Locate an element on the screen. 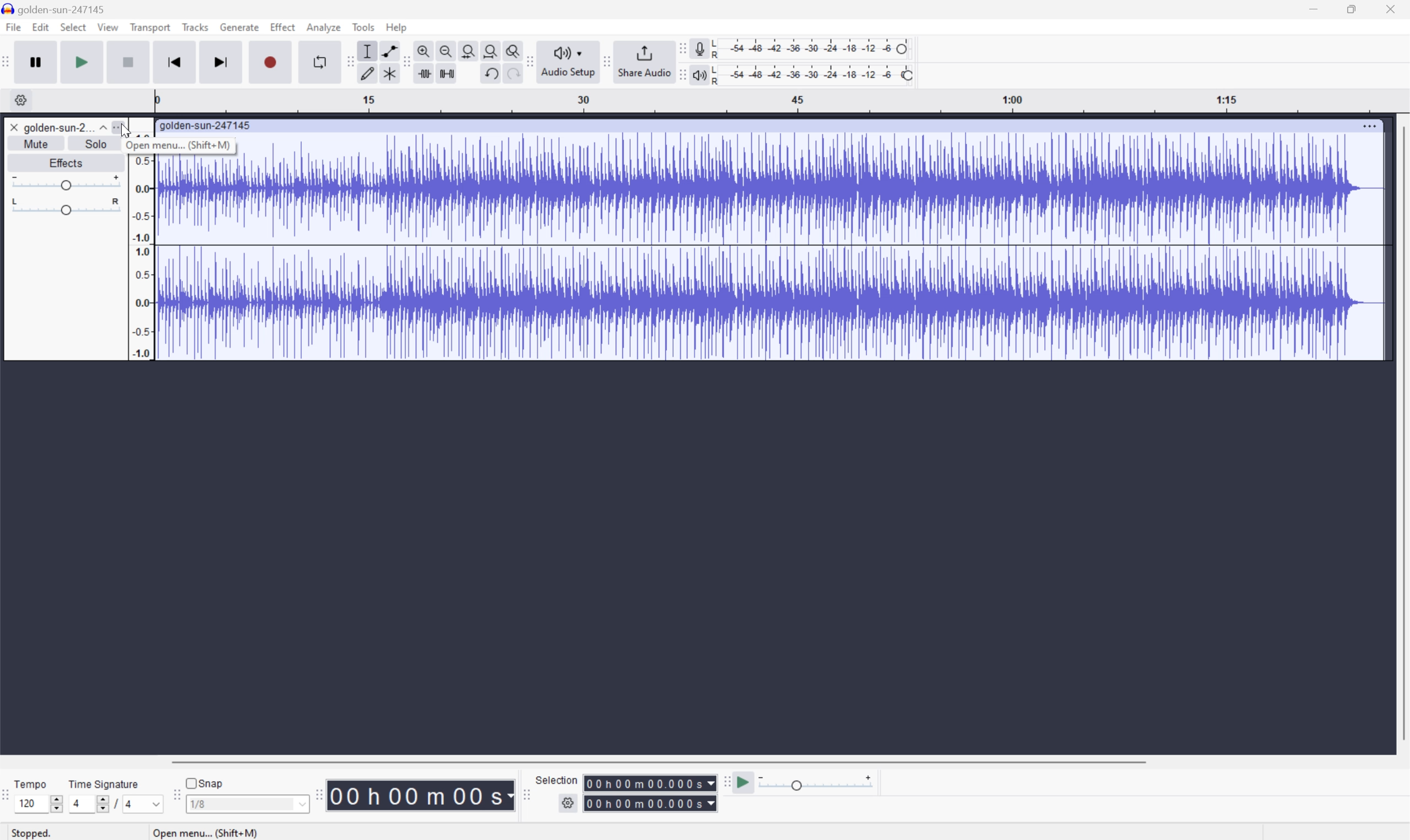 This screenshot has width=1410, height=840. Tracks is located at coordinates (195, 29).